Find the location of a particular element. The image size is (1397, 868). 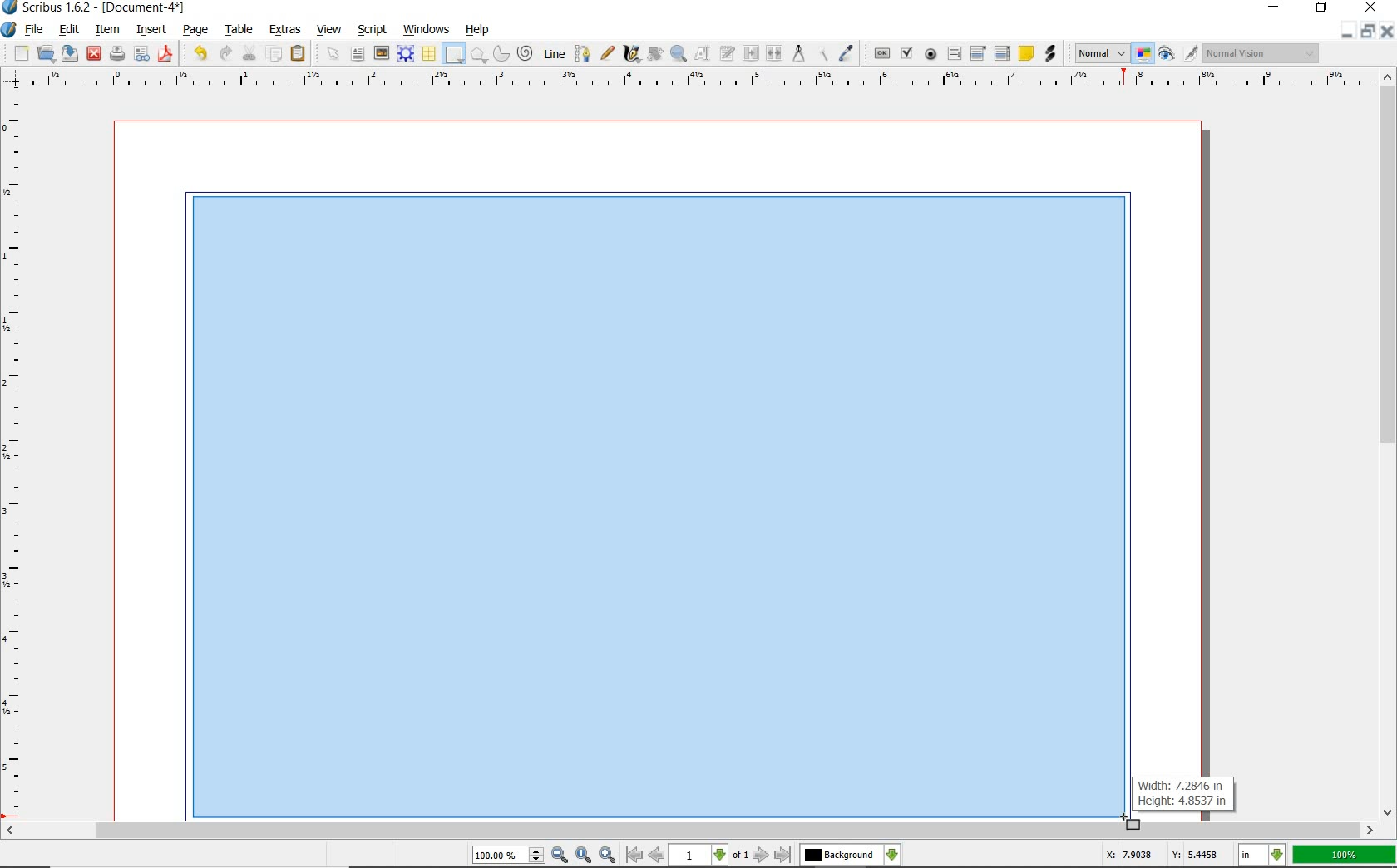

undo is located at coordinates (198, 53).